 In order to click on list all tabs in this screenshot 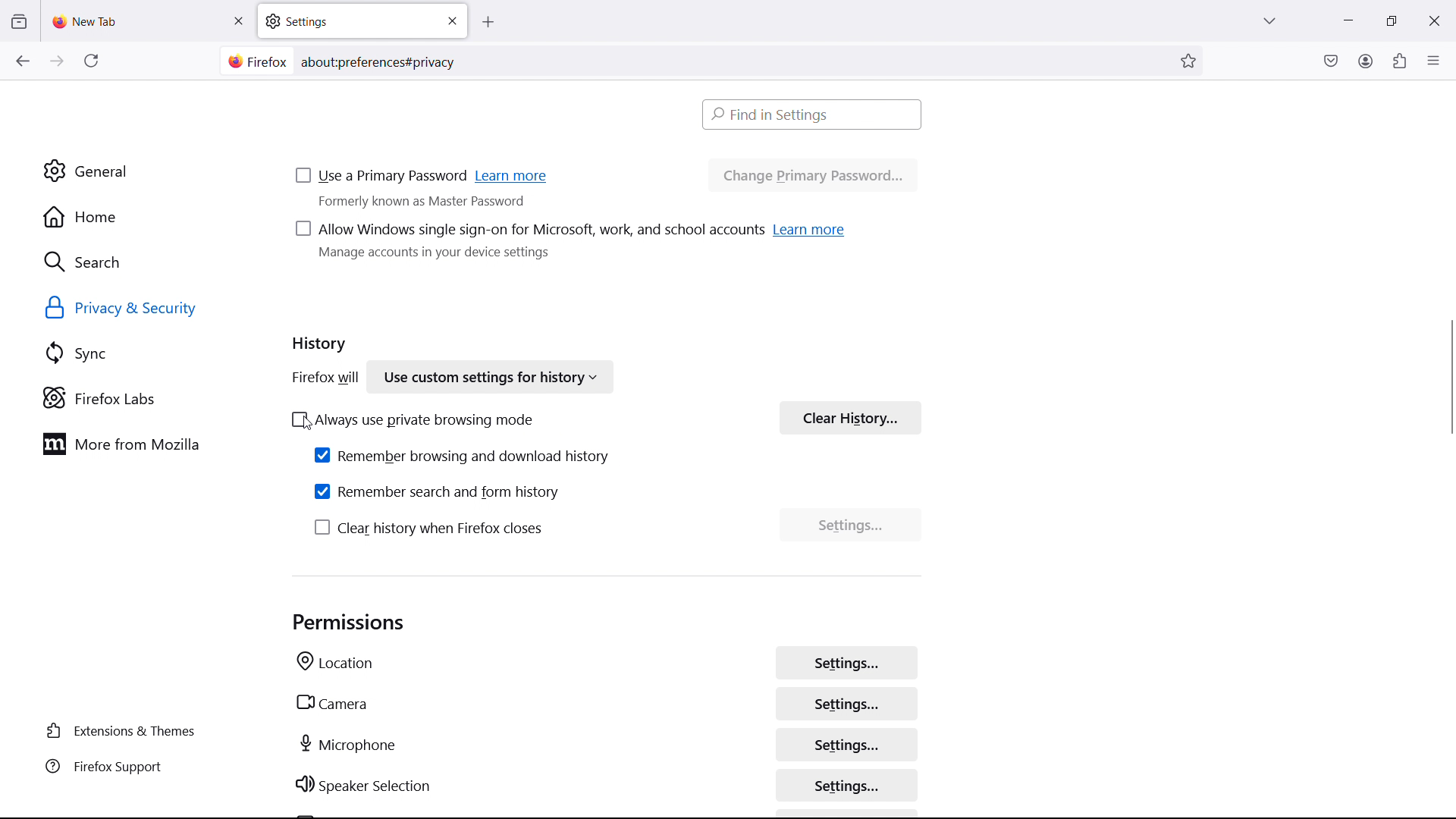, I will do `click(1269, 19)`.